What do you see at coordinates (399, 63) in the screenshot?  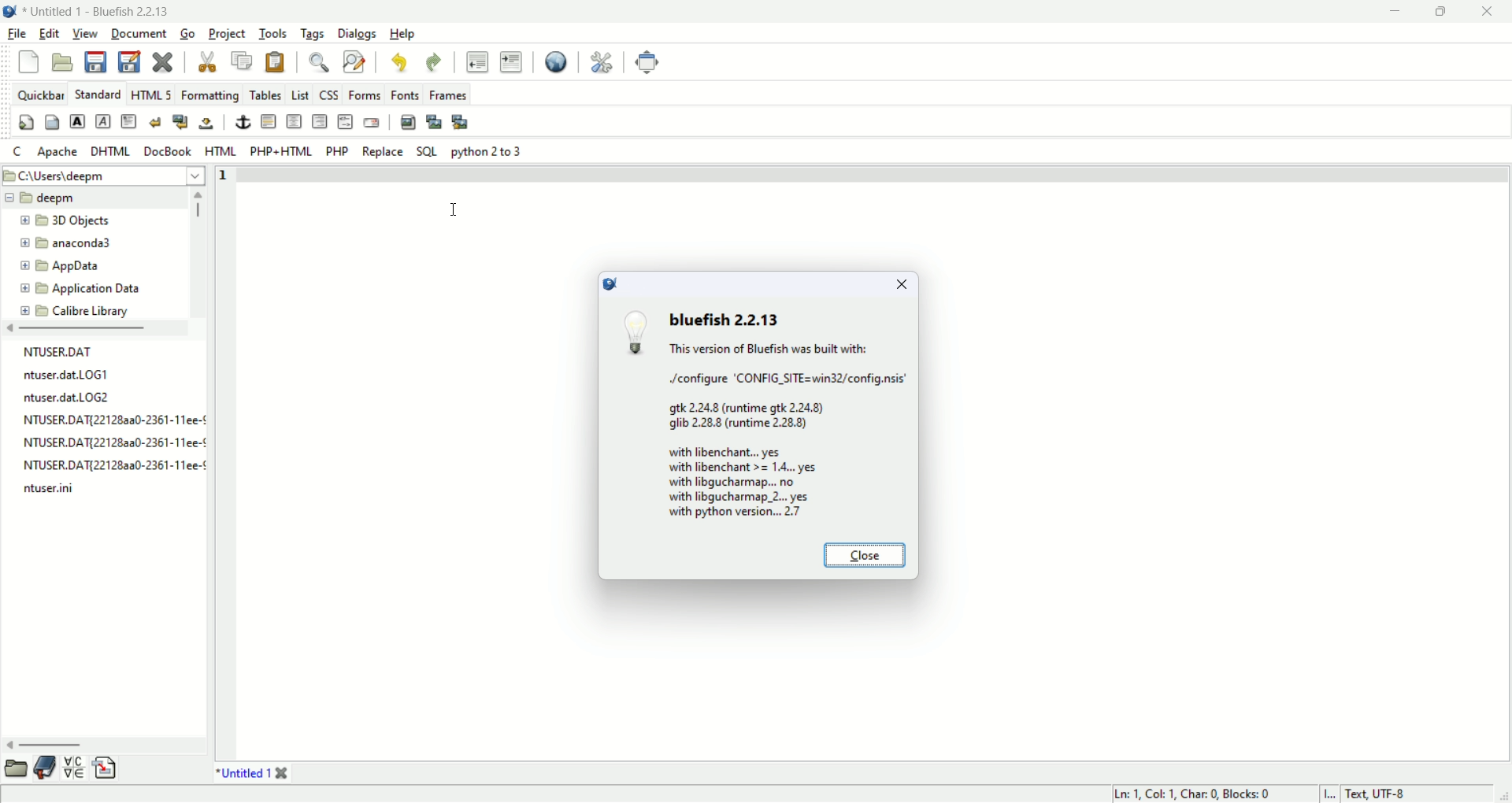 I see `undo` at bounding box center [399, 63].